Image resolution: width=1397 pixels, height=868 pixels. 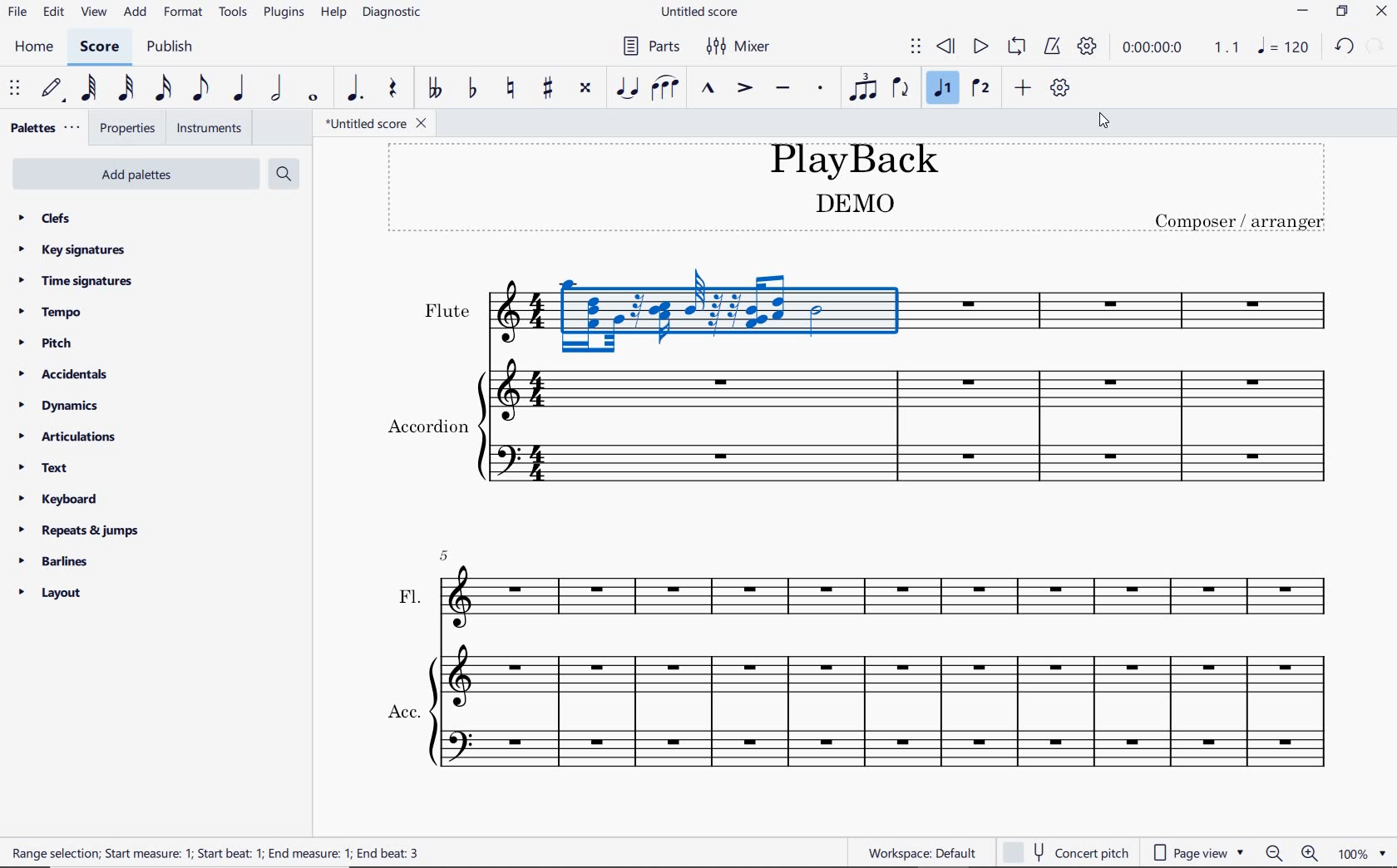 I want to click on ZOOM FACTOR, so click(x=1362, y=854).